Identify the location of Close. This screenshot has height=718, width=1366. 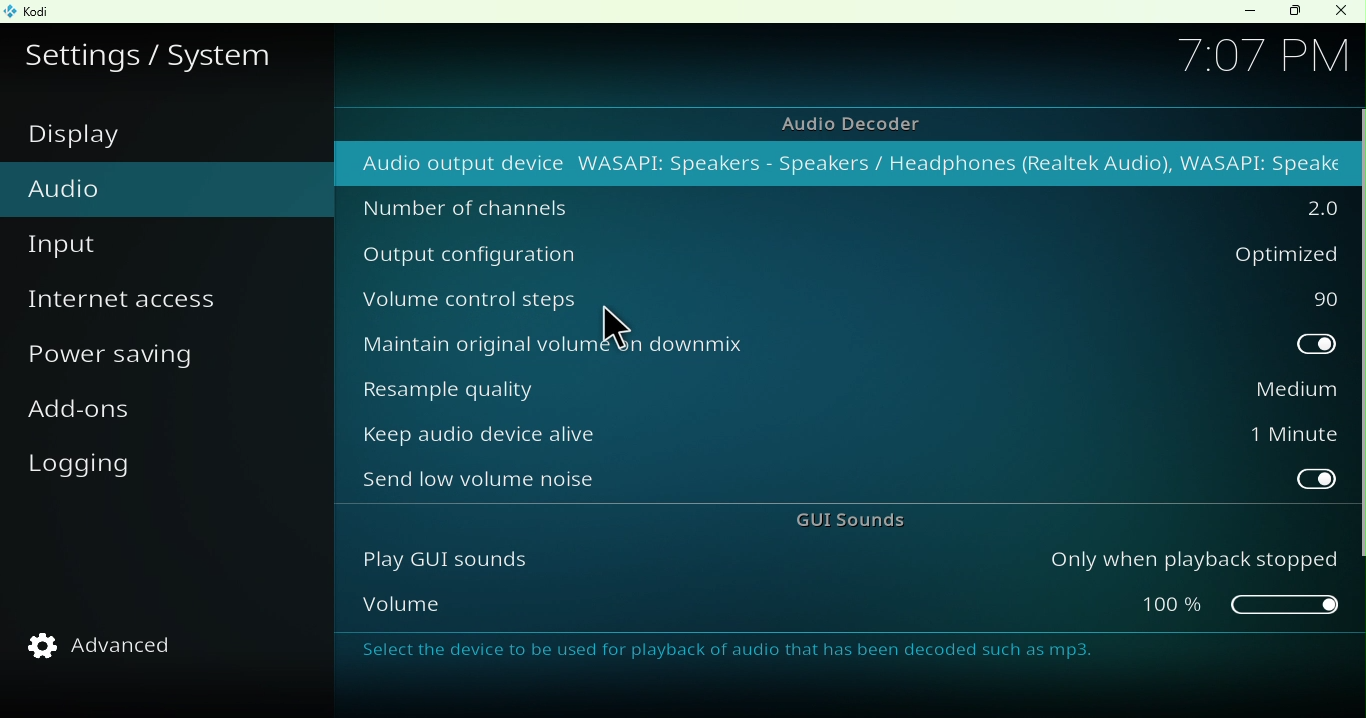
(1344, 12).